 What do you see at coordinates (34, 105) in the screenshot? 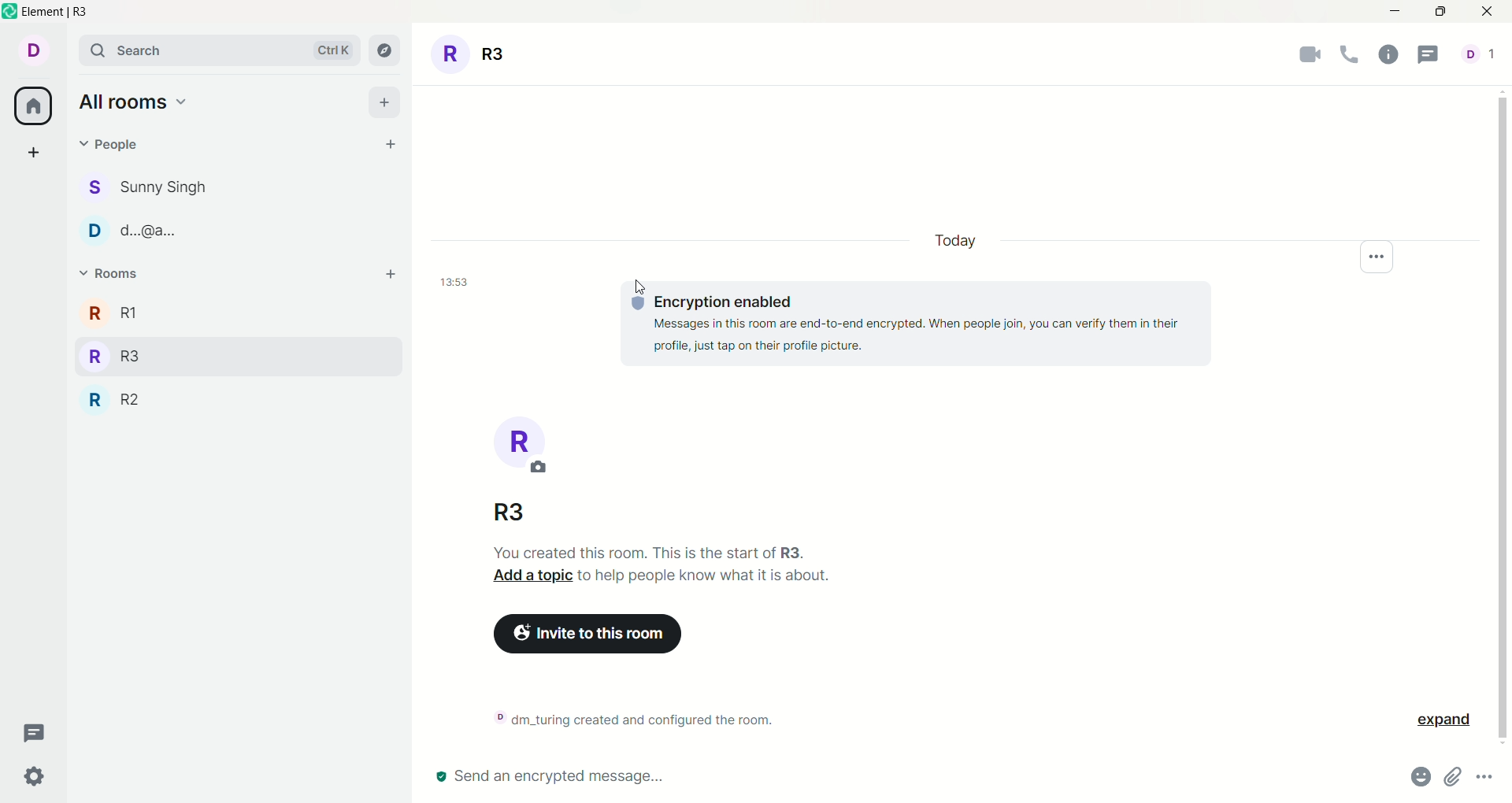
I see `all rooms` at bounding box center [34, 105].